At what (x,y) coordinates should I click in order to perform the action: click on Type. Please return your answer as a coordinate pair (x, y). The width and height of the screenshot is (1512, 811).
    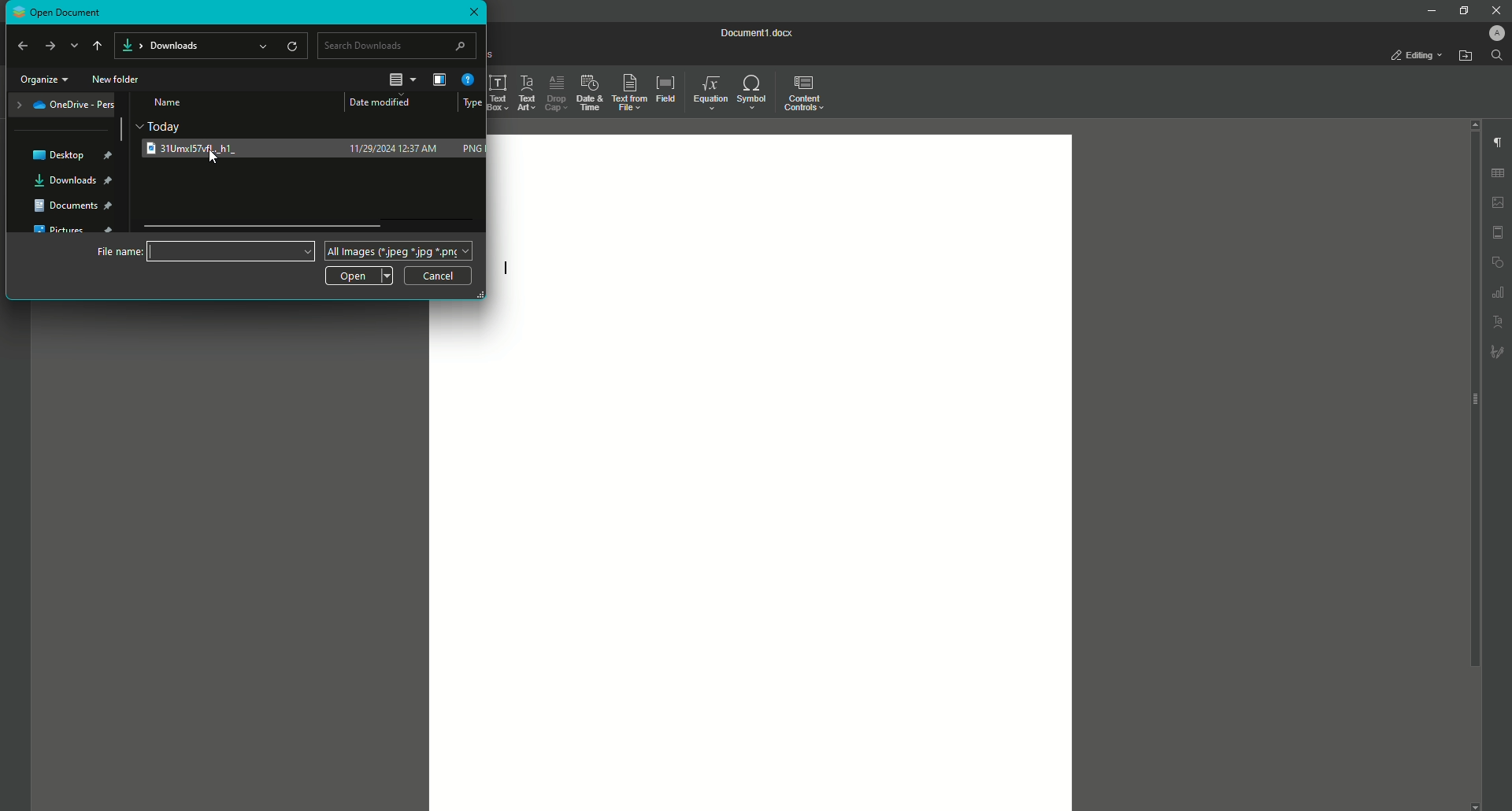
    Looking at the image, I should click on (473, 104).